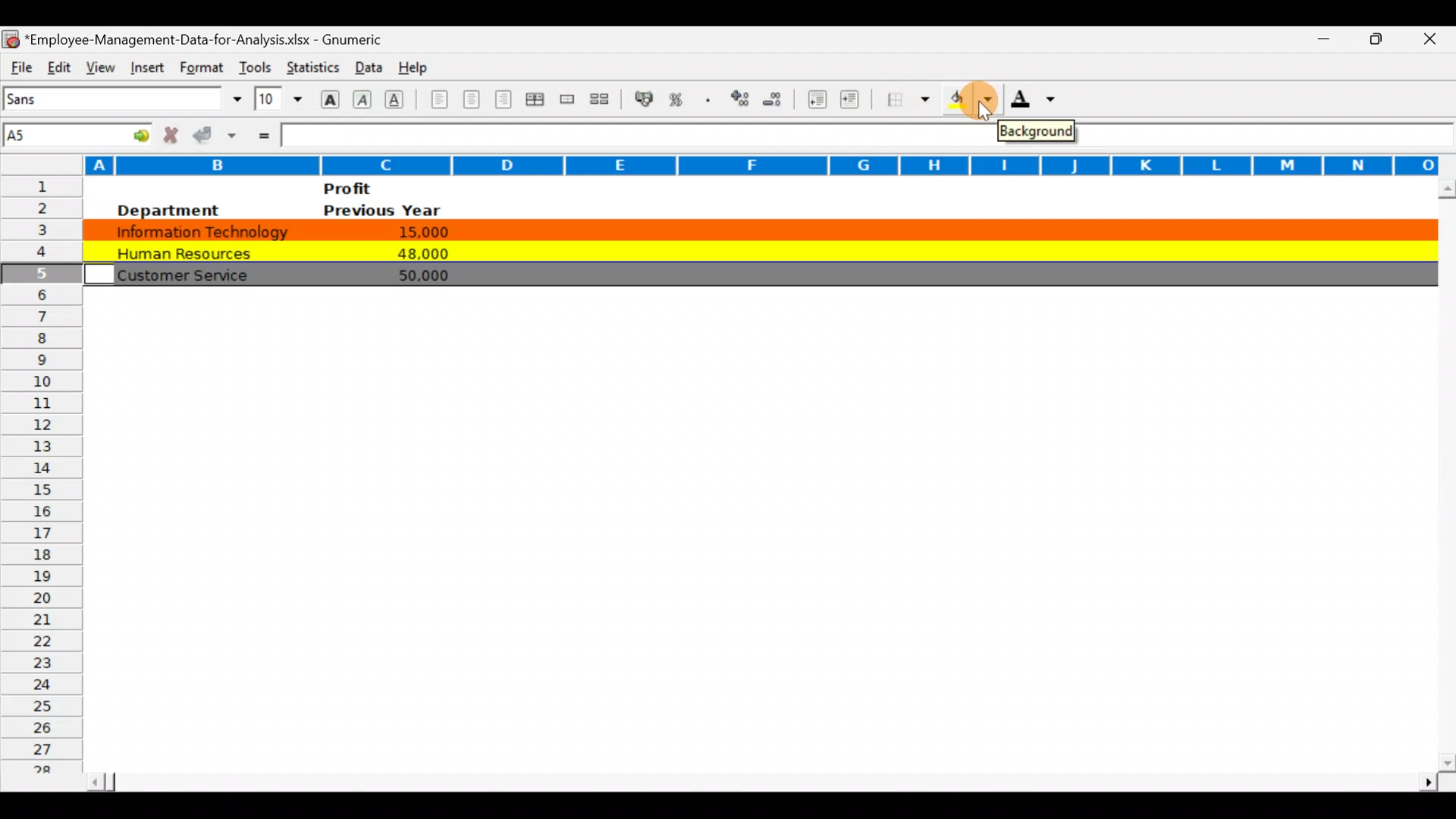 The width and height of the screenshot is (1456, 819). Describe the element at coordinates (711, 101) in the screenshot. I see `Include a thousands operator` at that location.